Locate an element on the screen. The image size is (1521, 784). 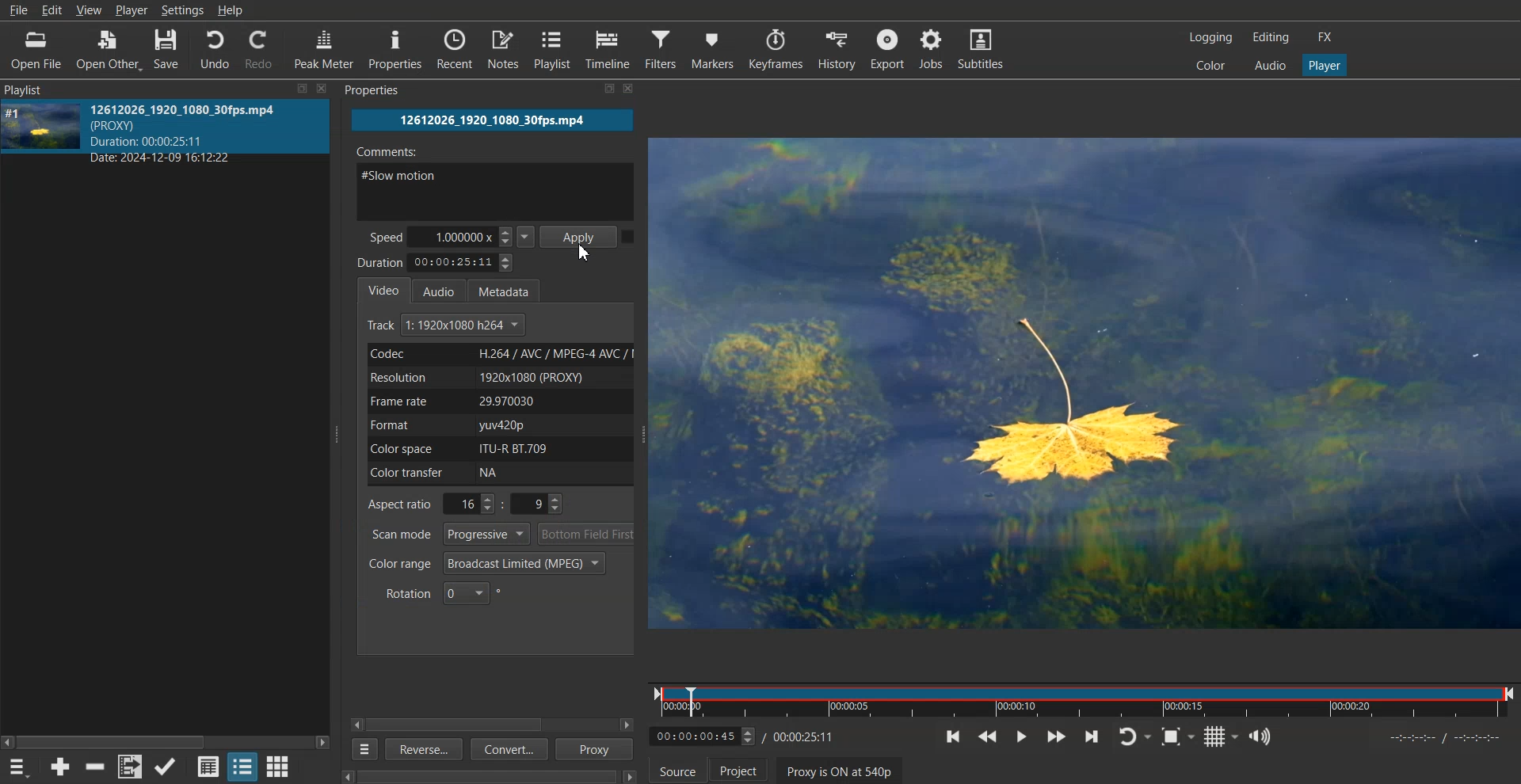
Proxy is ON at 540p is located at coordinates (840, 770).